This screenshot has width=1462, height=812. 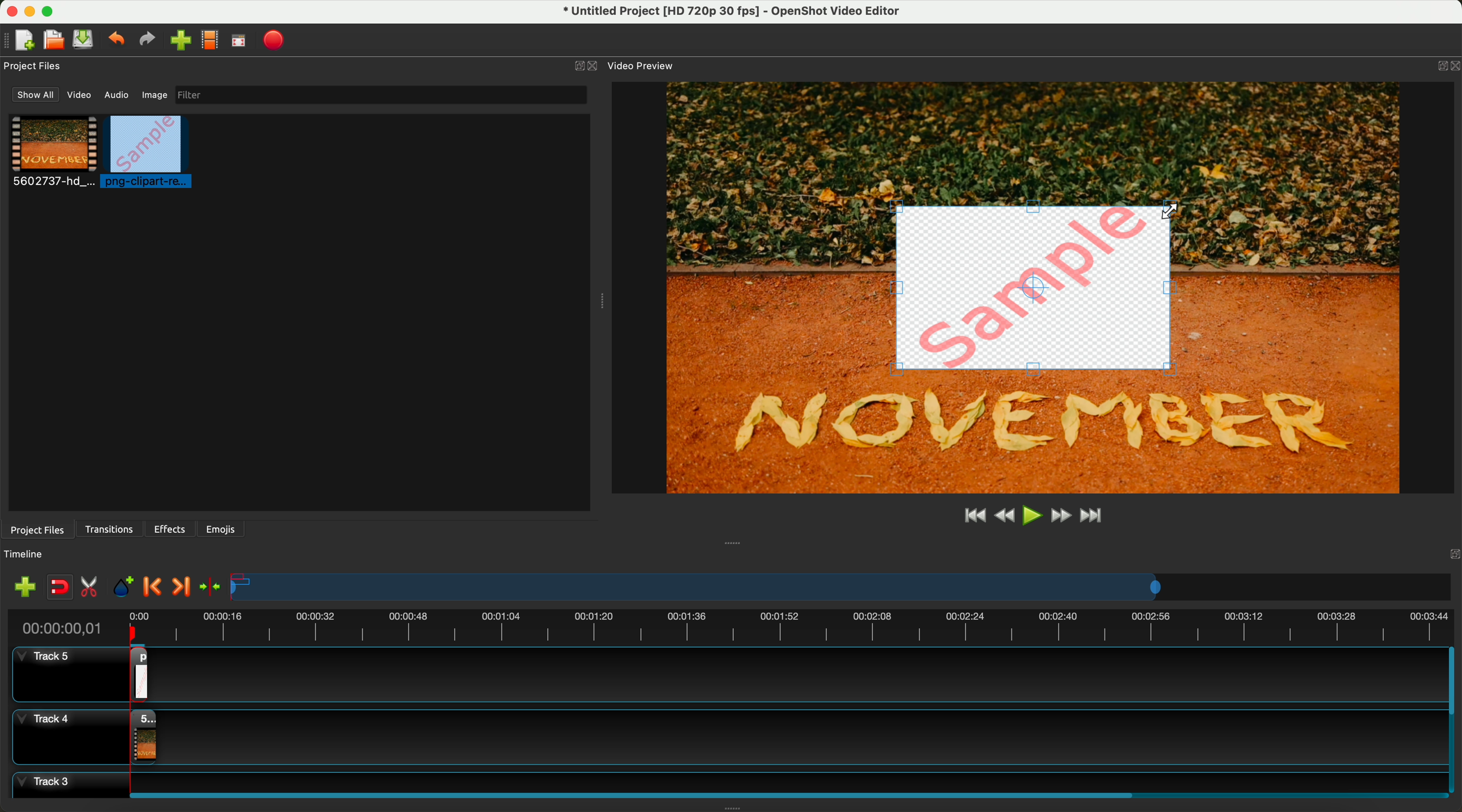 What do you see at coordinates (733, 542) in the screenshot?
I see `Window Expanding` at bounding box center [733, 542].